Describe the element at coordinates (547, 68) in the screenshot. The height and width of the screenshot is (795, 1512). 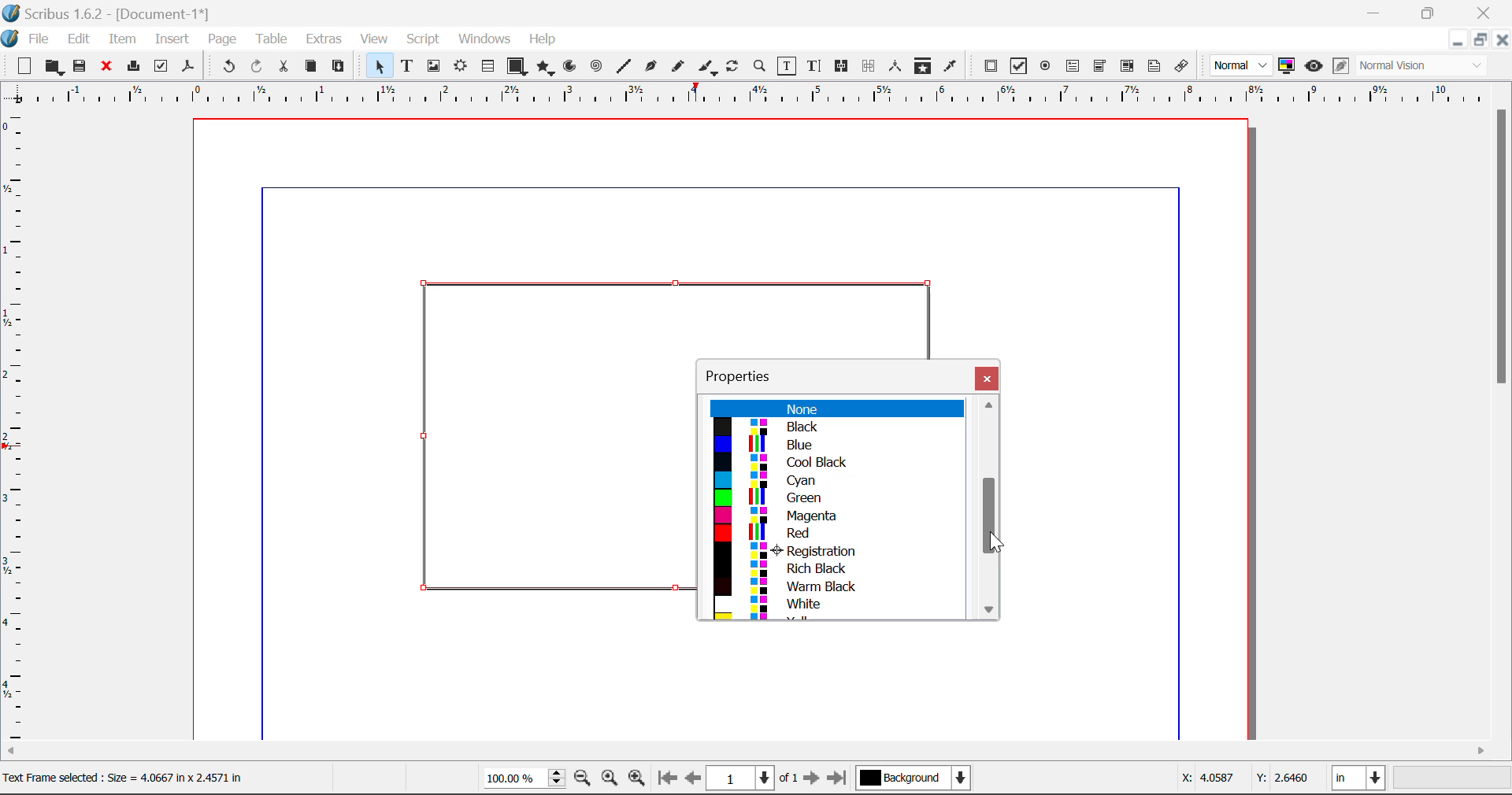
I see `Polygon` at that location.